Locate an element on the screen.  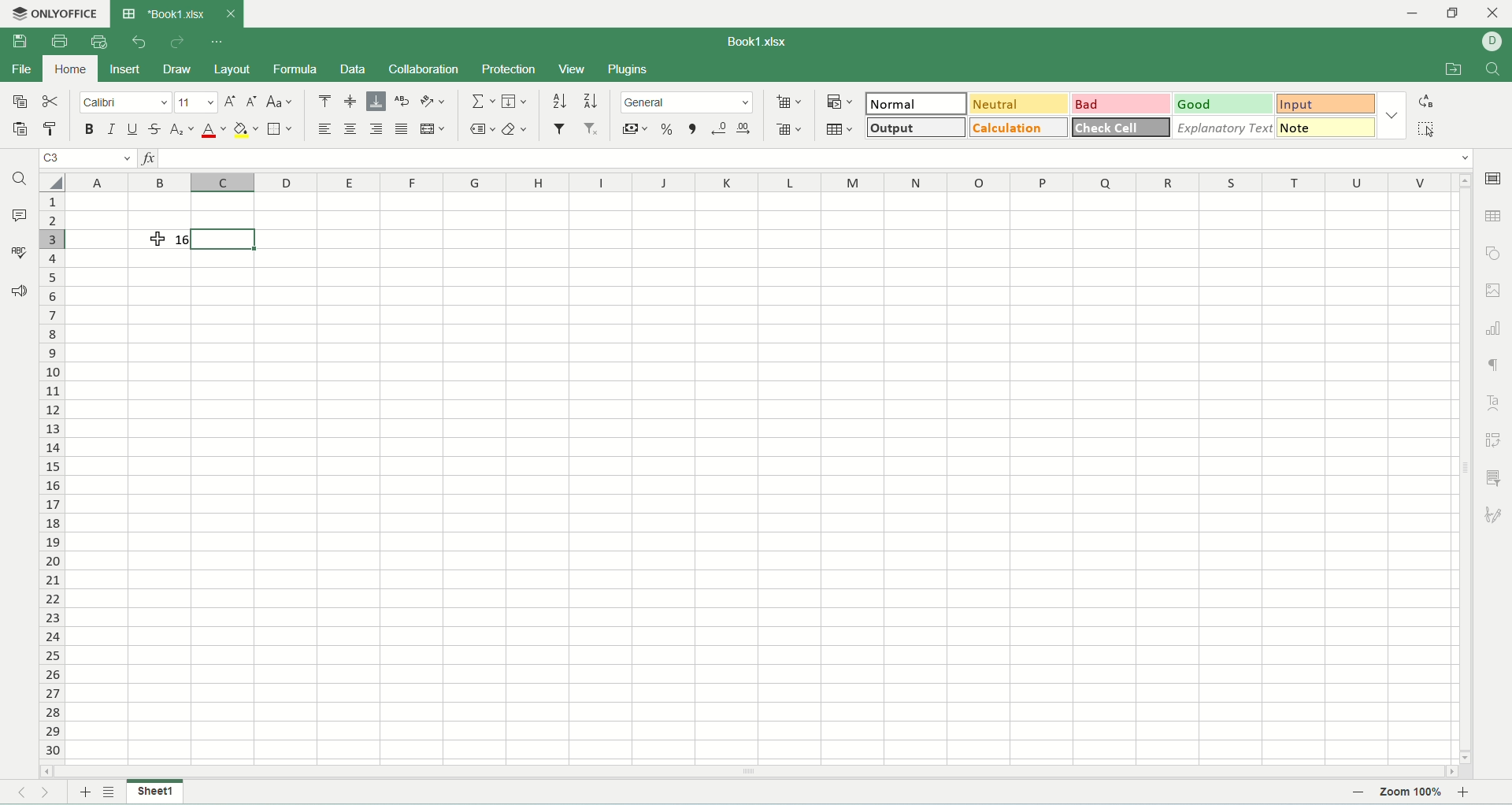
format as table template is located at coordinates (843, 129).